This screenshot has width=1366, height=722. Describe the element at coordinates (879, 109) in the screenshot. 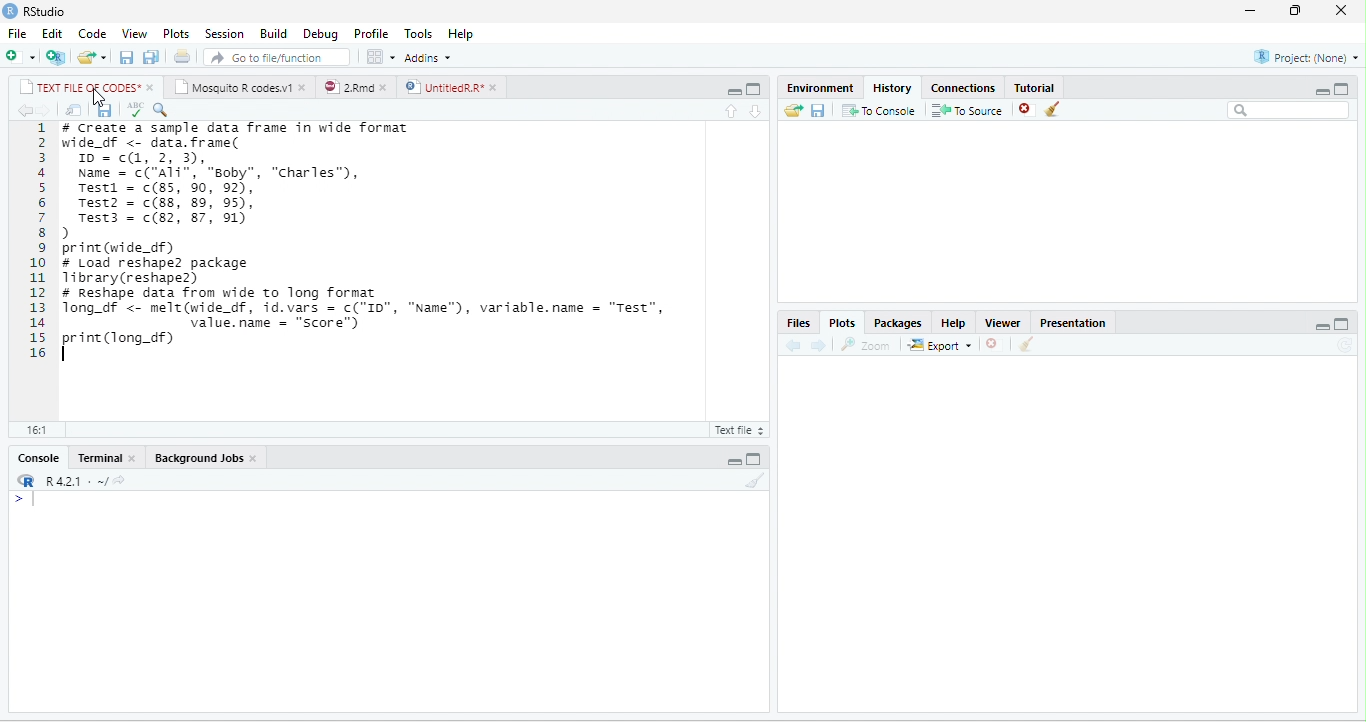

I see `To Console` at that location.